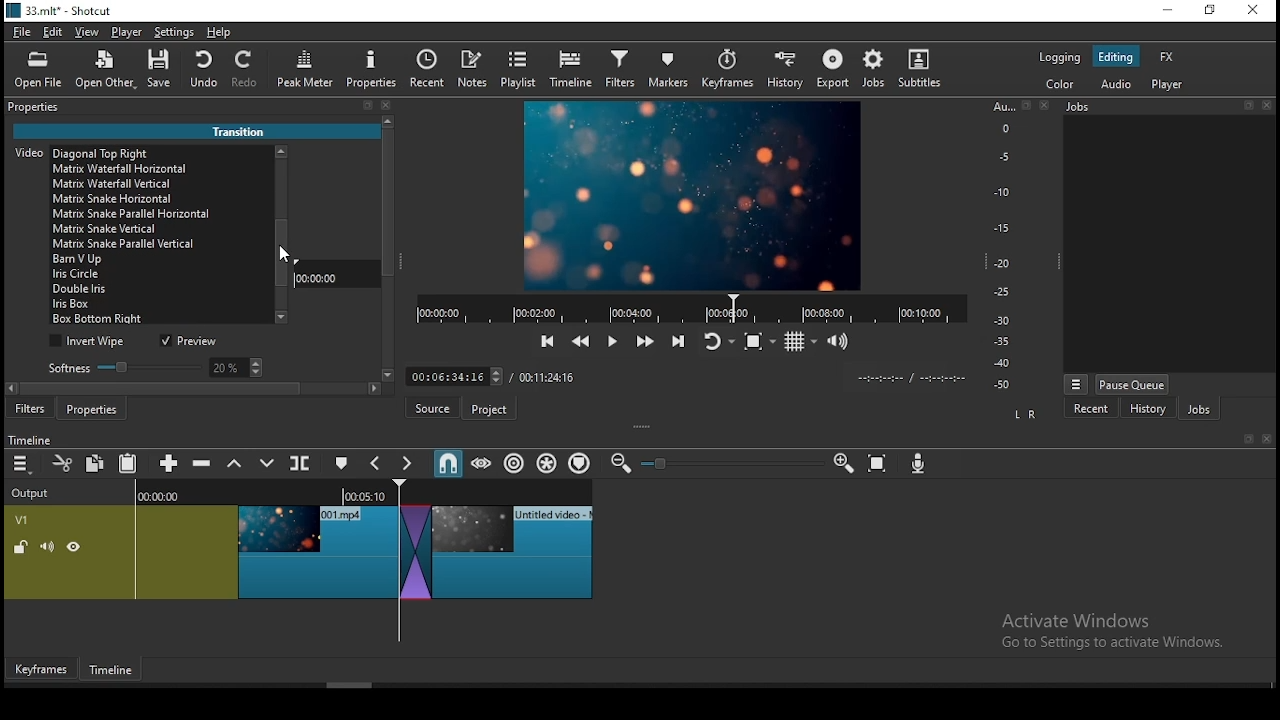 The image size is (1280, 720). What do you see at coordinates (1266, 440) in the screenshot?
I see `` at bounding box center [1266, 440].